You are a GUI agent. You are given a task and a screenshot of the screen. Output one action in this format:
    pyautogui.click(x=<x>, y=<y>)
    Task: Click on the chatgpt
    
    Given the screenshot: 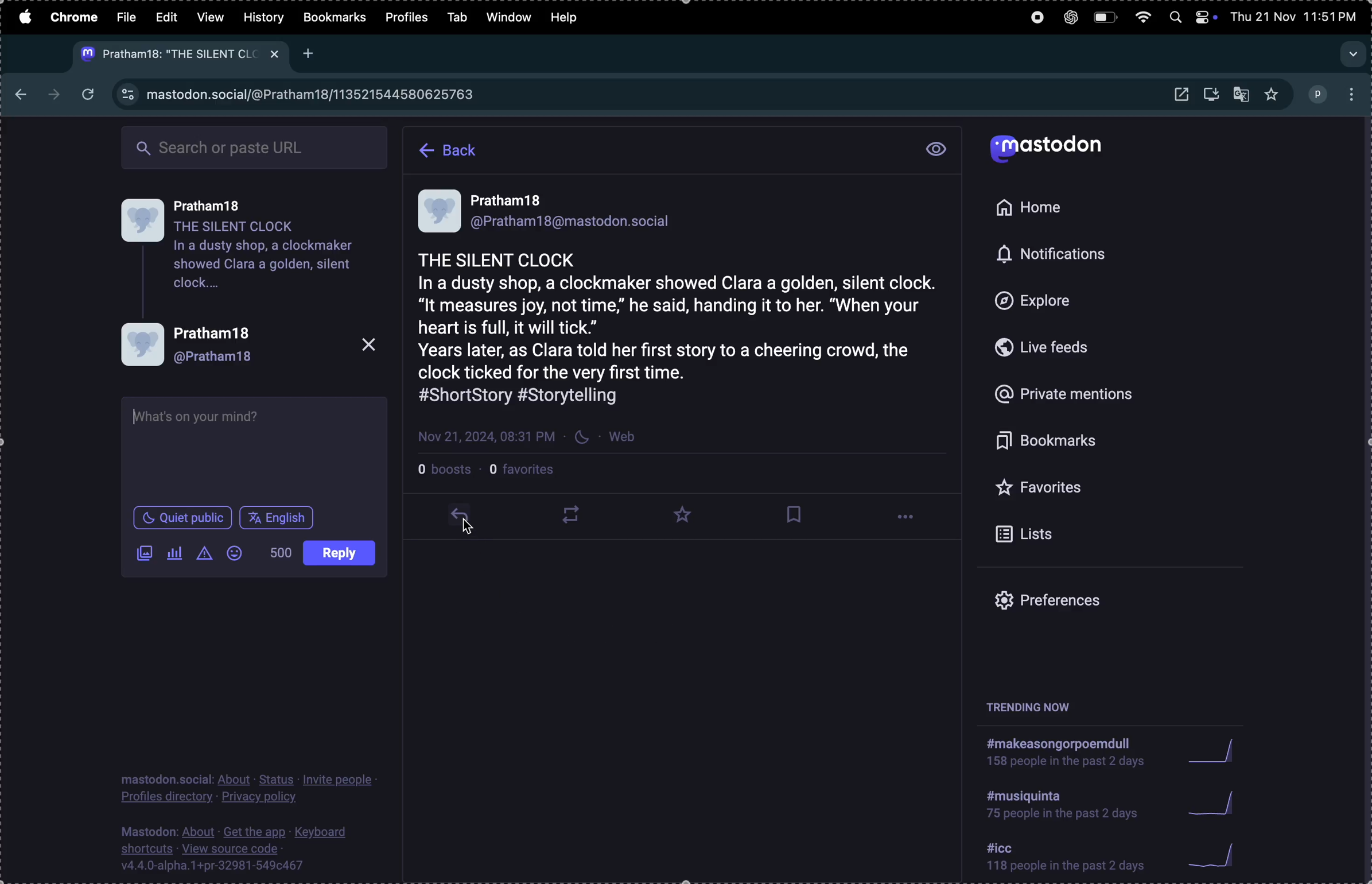 What is the action you would take?
    pyautogui.click(x=1070, y=17)
    